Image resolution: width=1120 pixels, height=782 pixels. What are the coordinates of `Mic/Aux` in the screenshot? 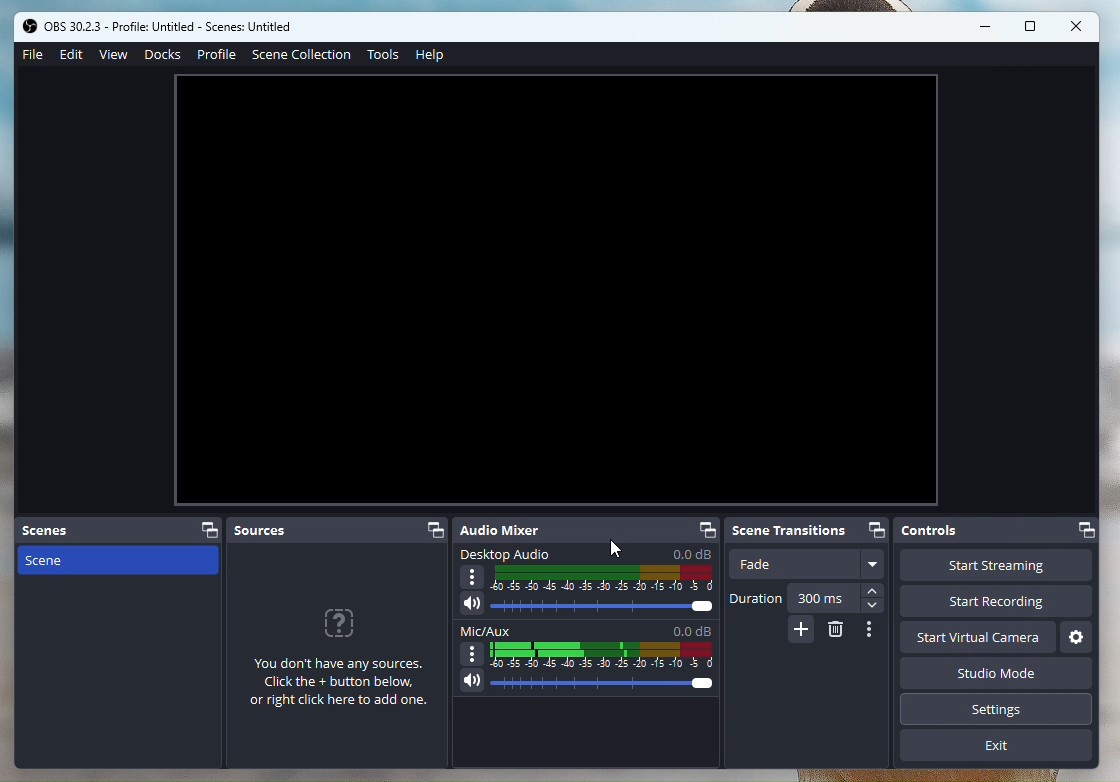 It's located at (587, 658).